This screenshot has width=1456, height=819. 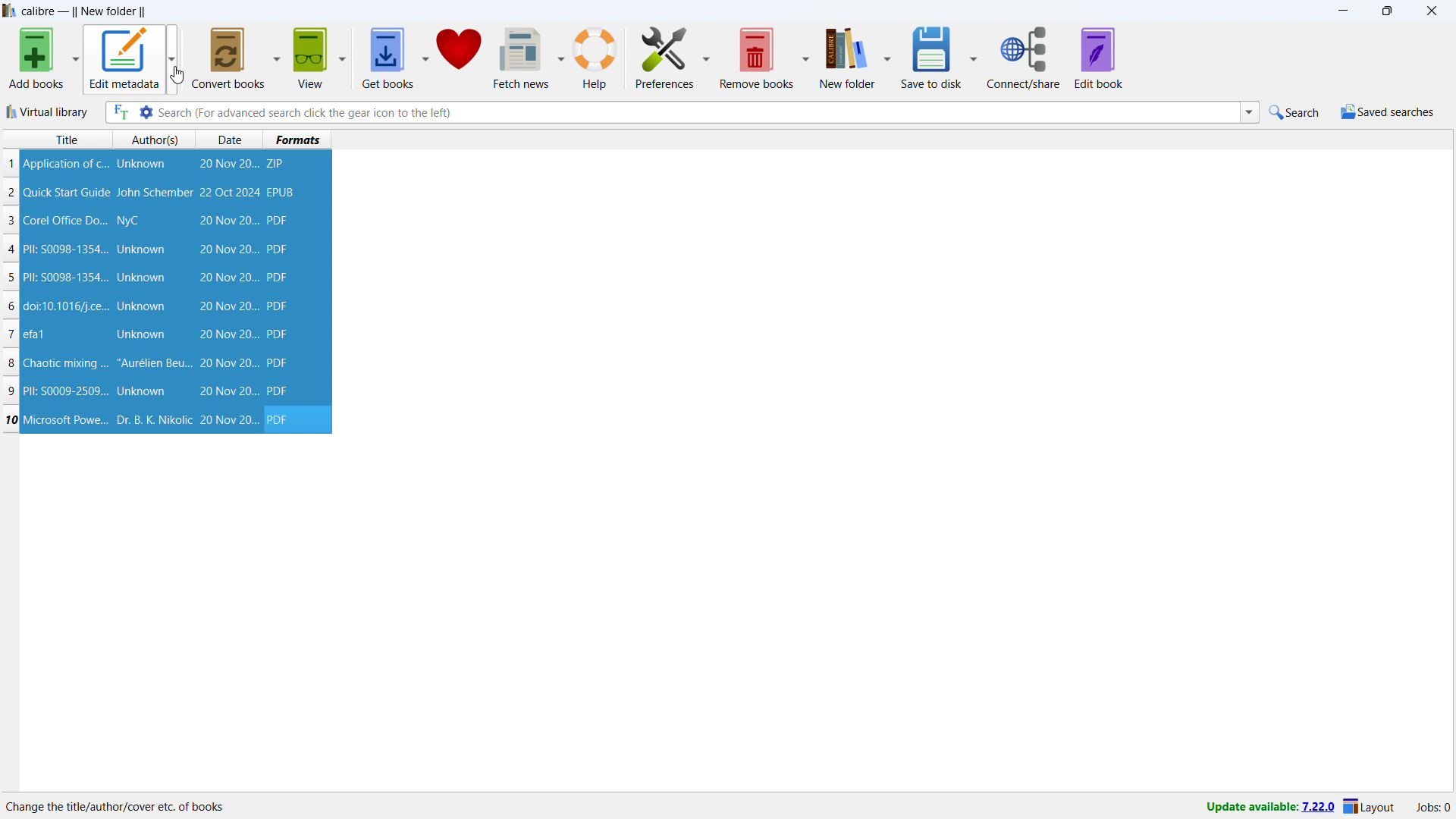 What do you see at coordinates (388, 58) in the screenshot?
I see `get books` at bounding box center [388, 58].